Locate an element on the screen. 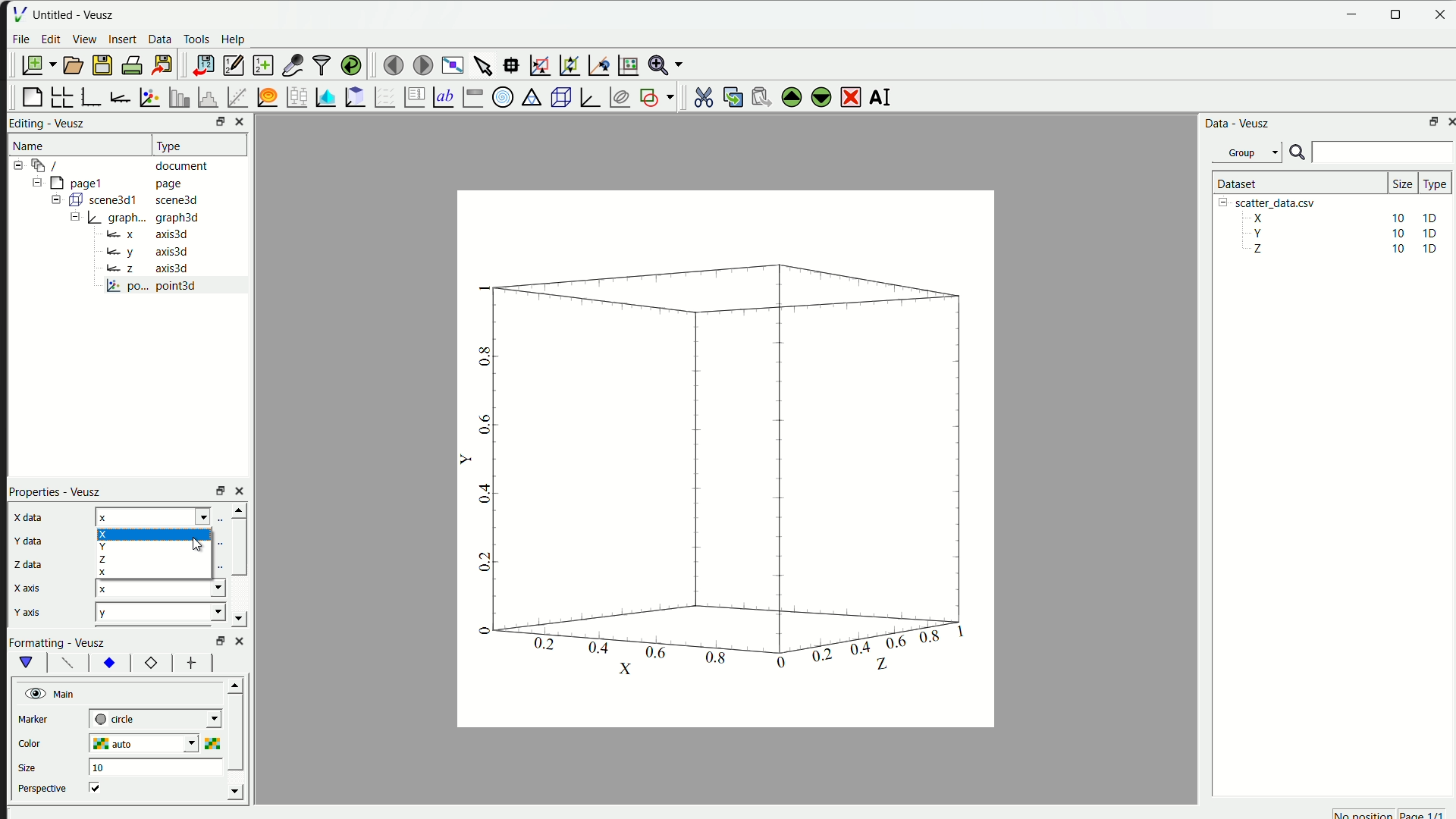 The image size is (1456, 819). read datapoint on graph is located at coordinates (510, 64).